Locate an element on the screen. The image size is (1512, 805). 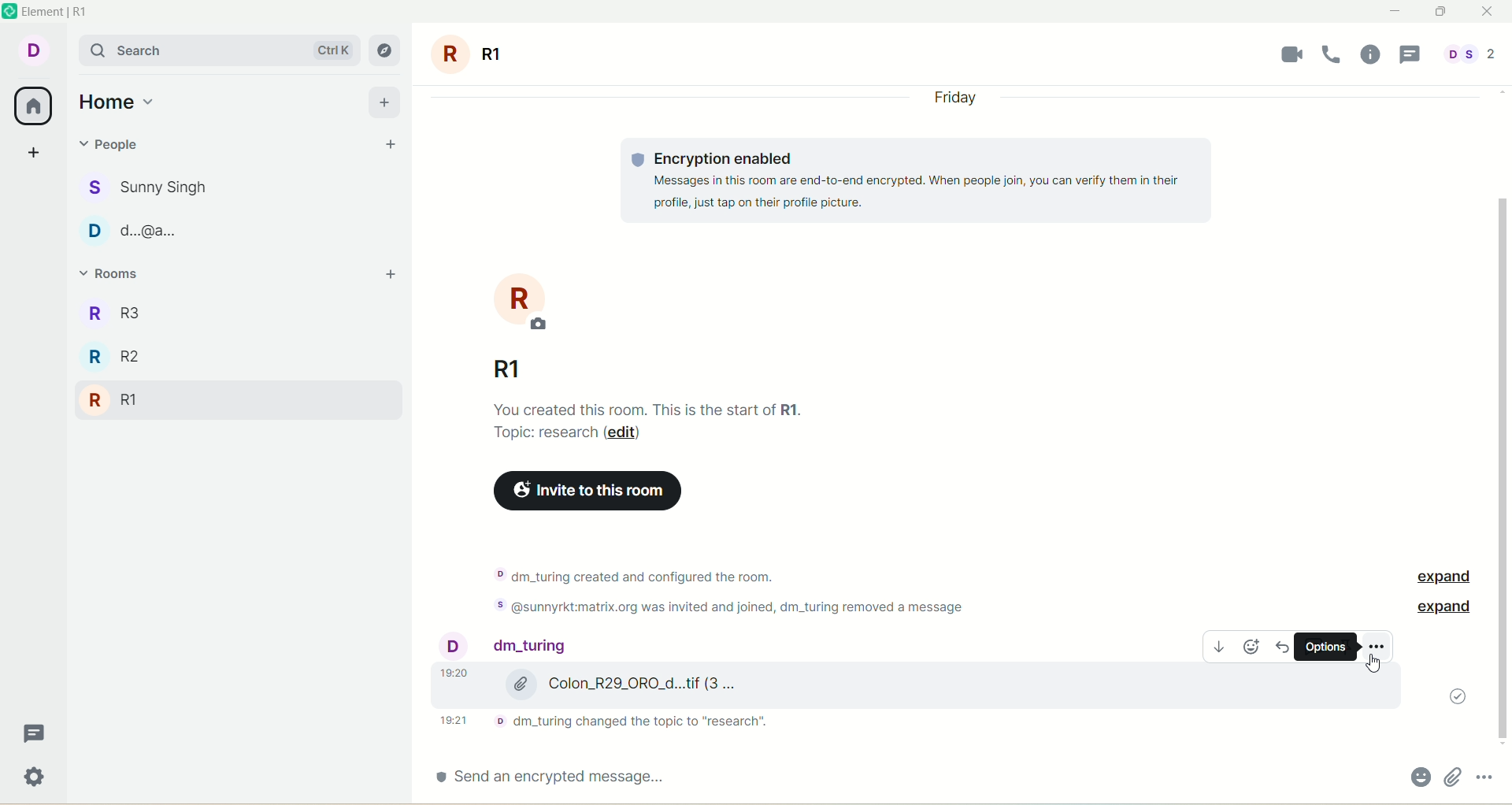
invite to this room is located at coordinates (585, 492).